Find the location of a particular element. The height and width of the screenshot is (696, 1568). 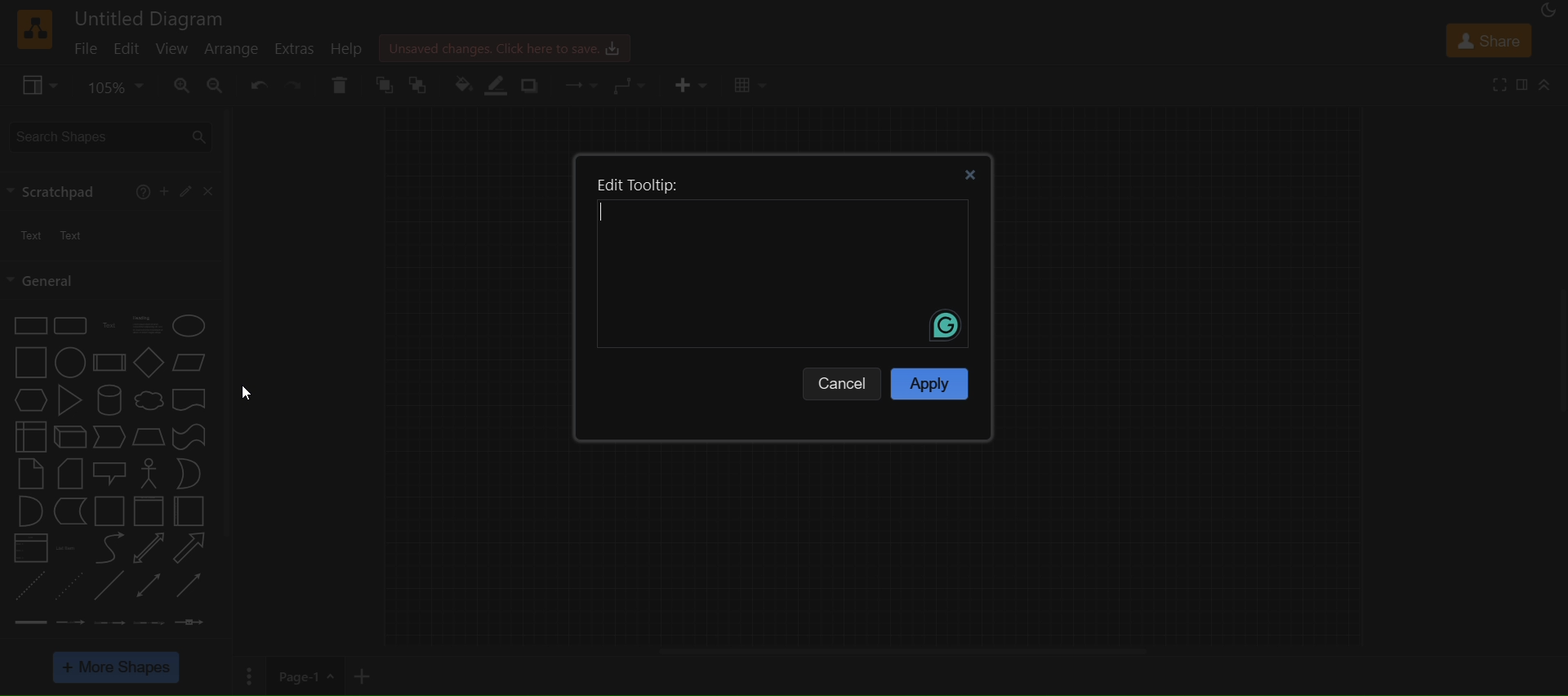

ellipse is located at coordinates (190, 324).